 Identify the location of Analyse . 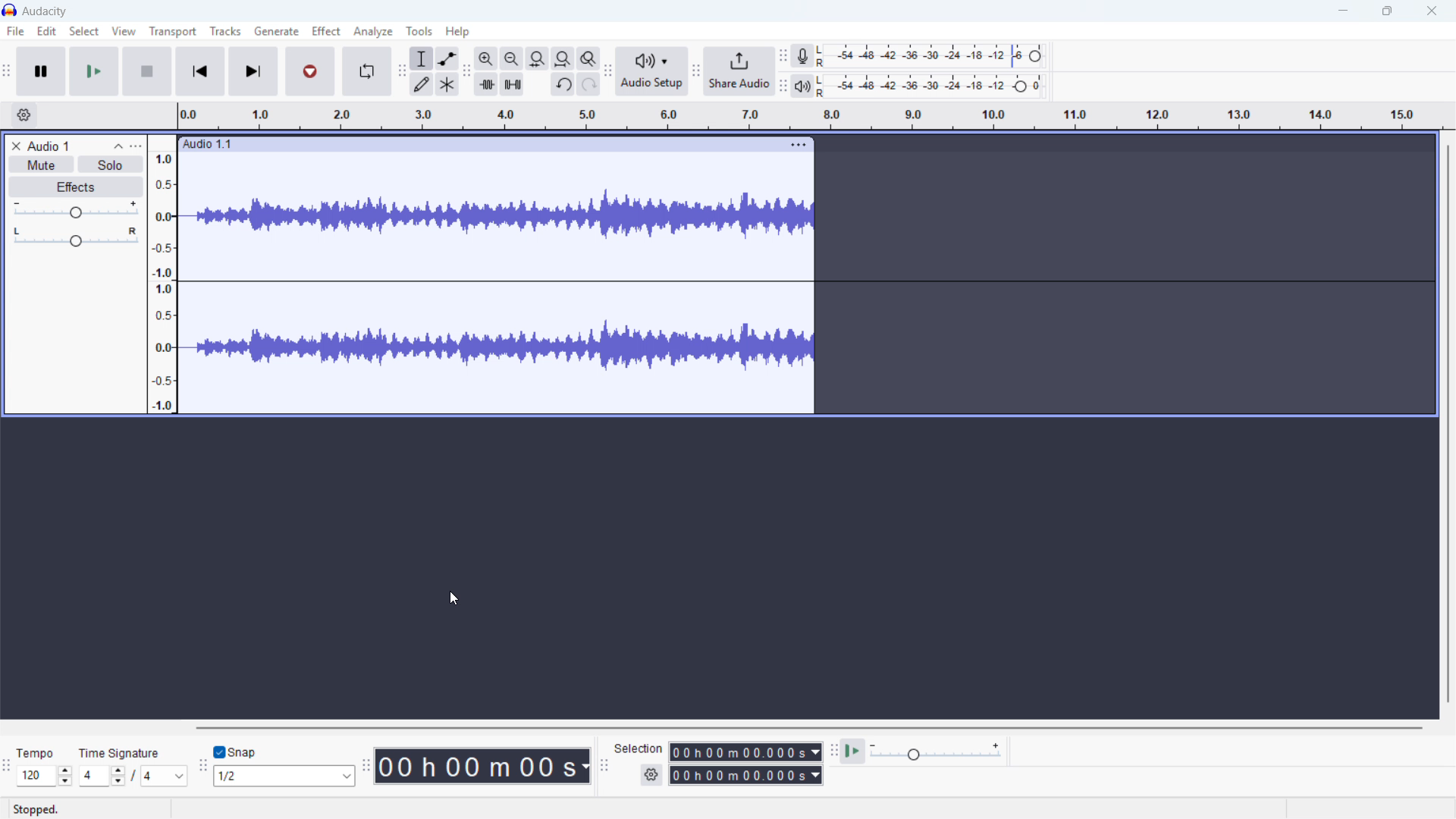
(372, 31).